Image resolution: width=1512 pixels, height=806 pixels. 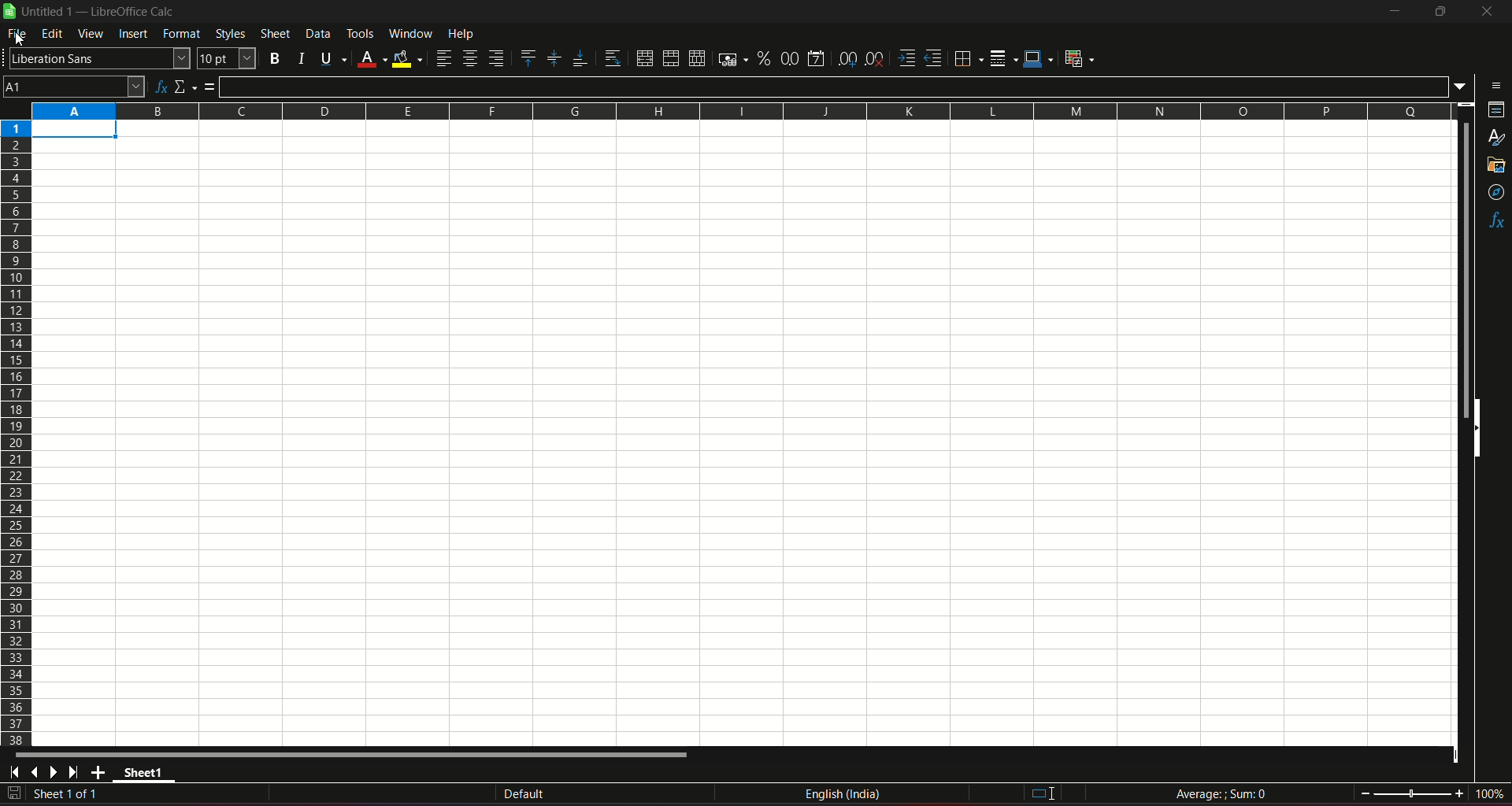 I want to click on background color, so click(x=407, y=57).